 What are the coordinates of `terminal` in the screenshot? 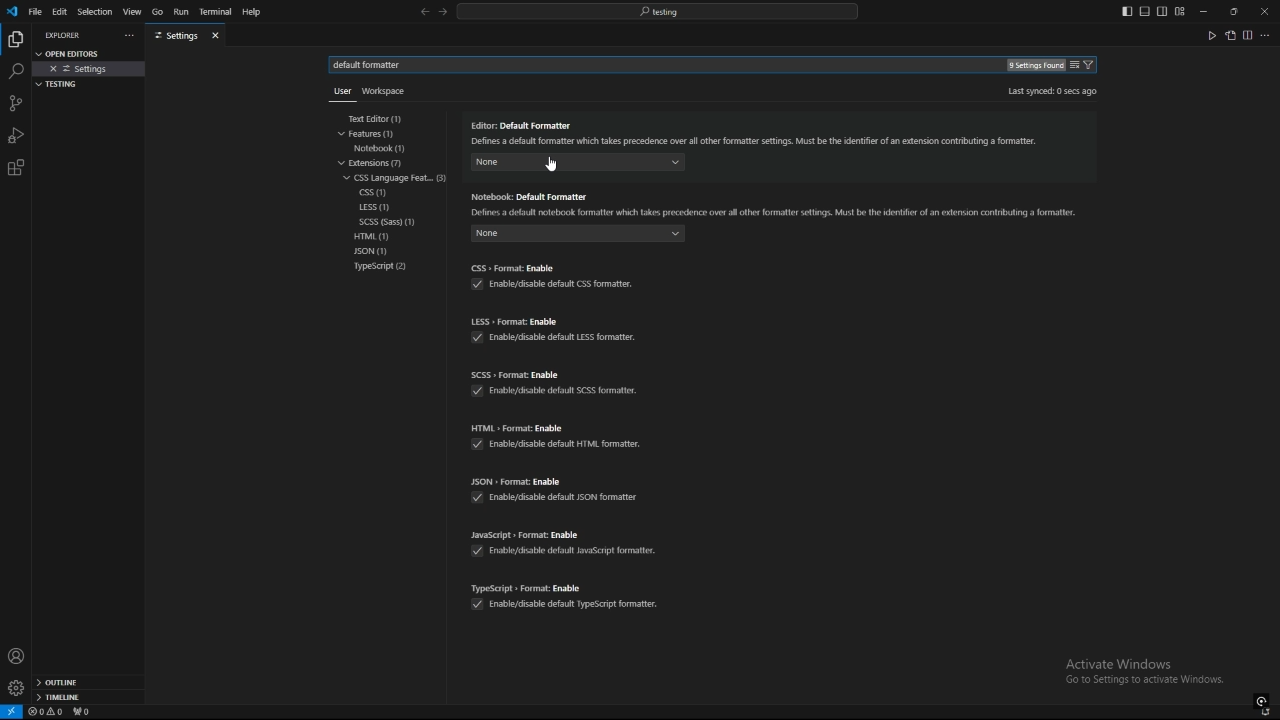 It's located at (216, 13).